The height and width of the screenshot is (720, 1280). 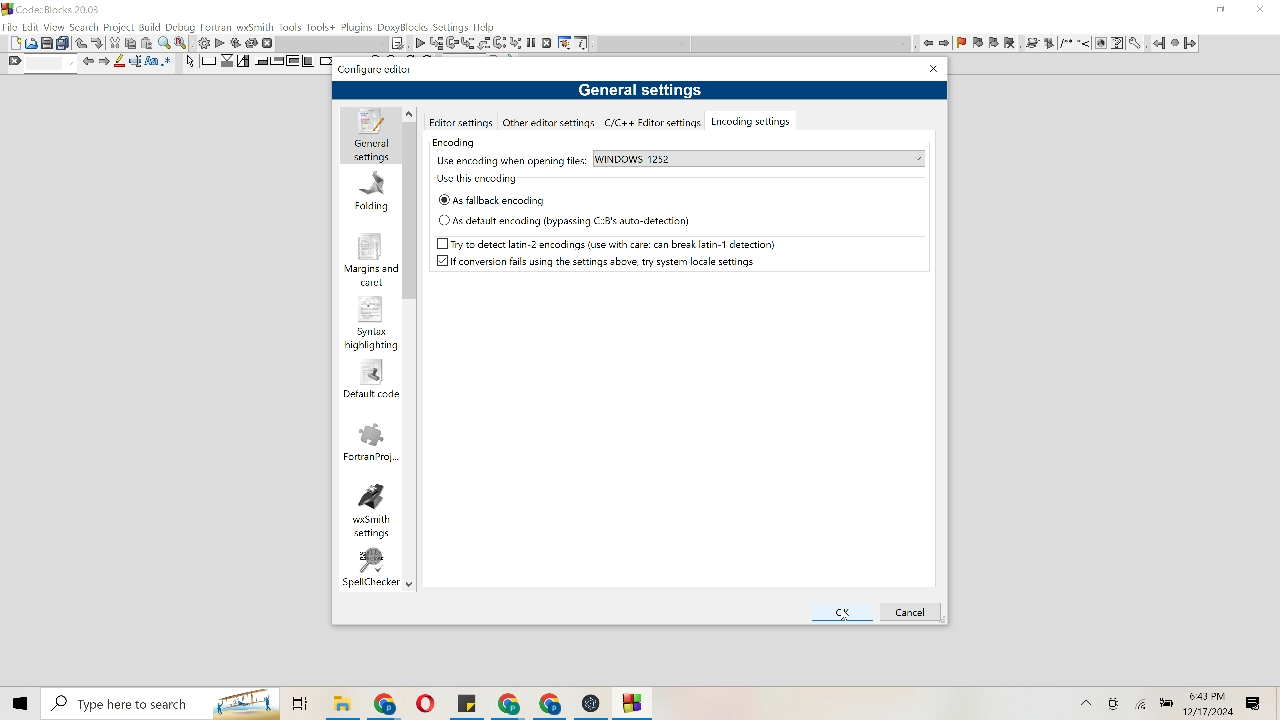 What do you see at coordinates (1212, 704) in the screenshot?
I see `Time and date` at bounding box center [1212, 704].